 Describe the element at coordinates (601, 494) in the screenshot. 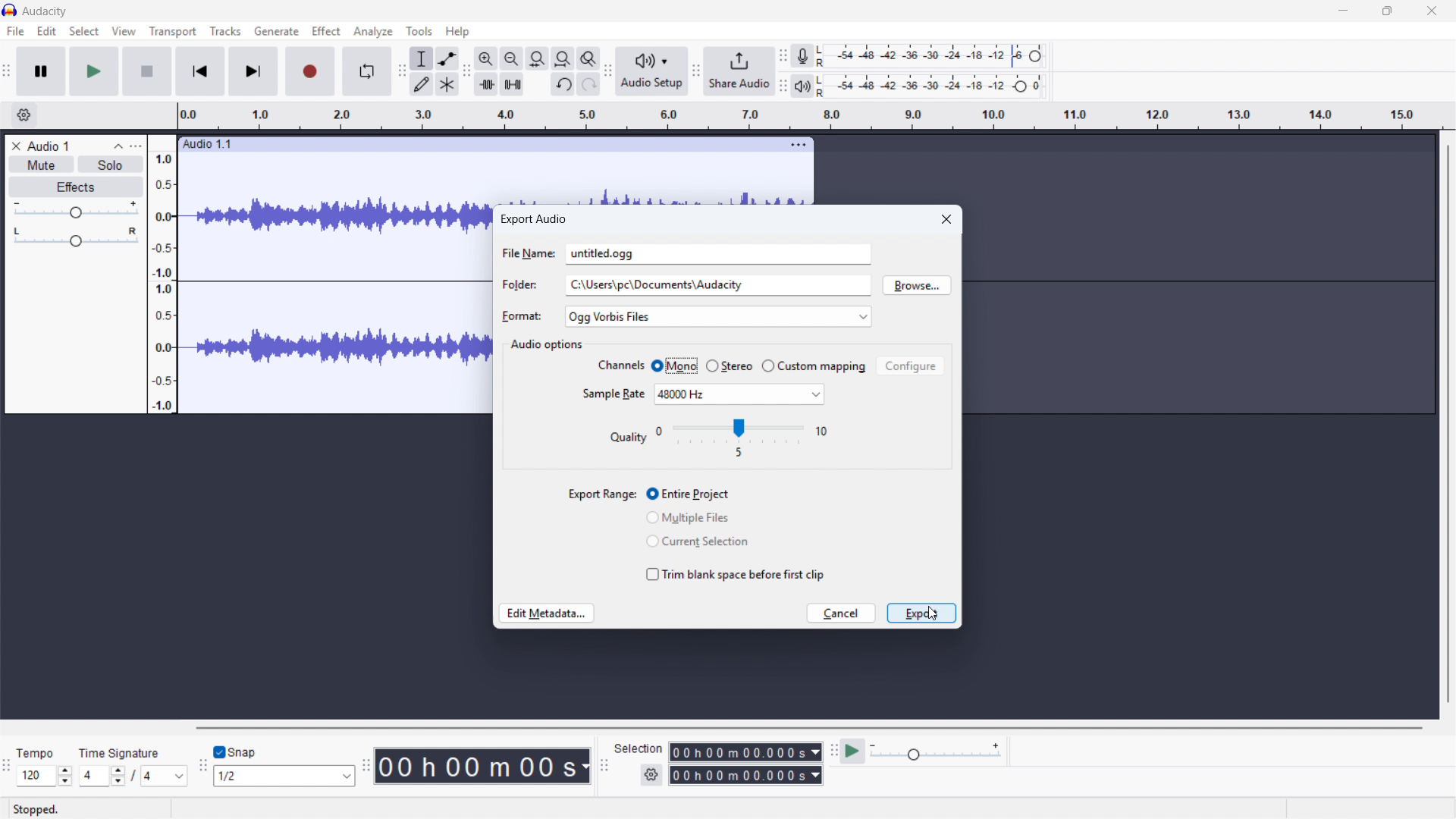

I see `export range` at that location.